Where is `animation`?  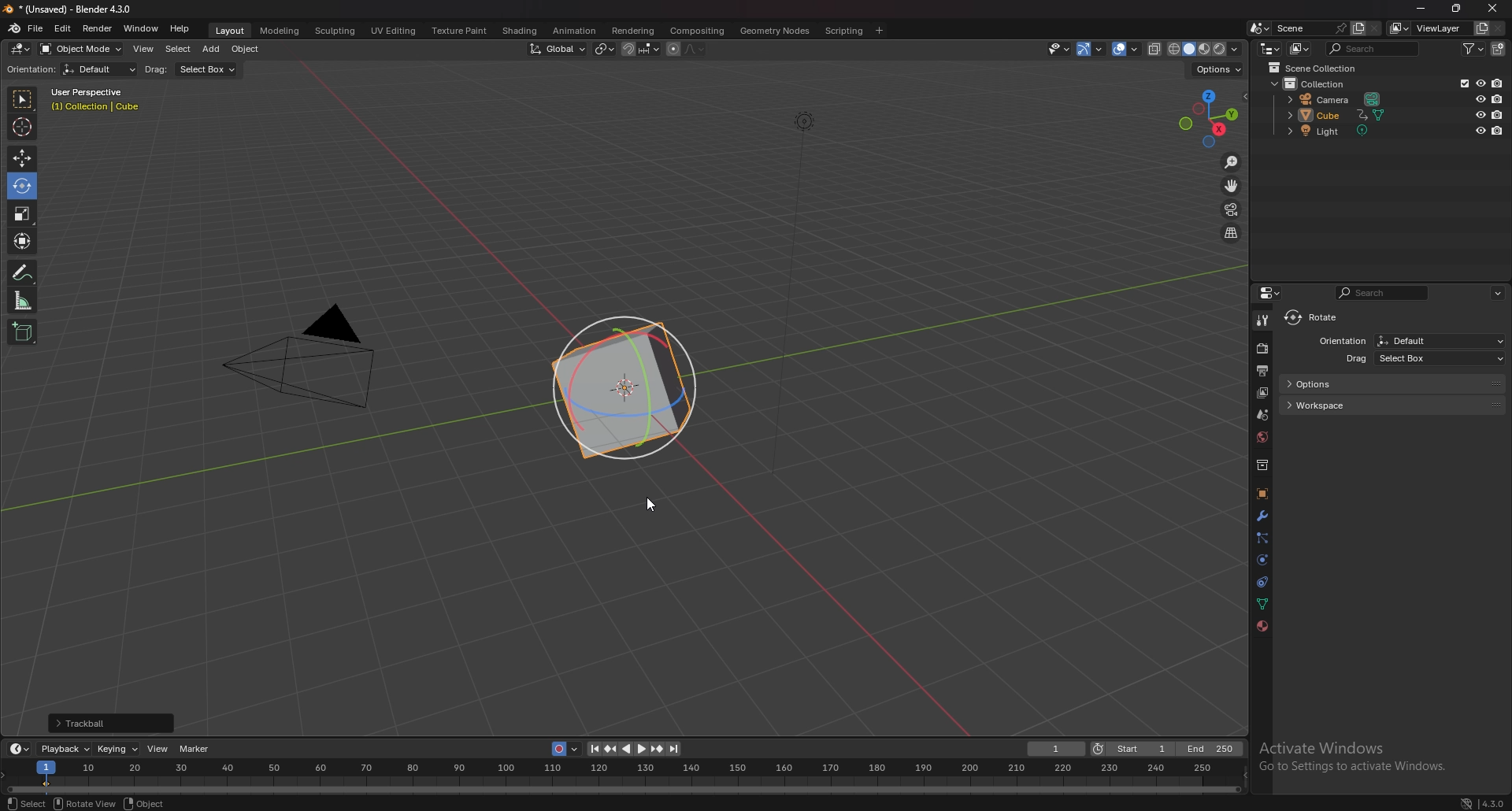 animation is located at coordinates (575, 31).